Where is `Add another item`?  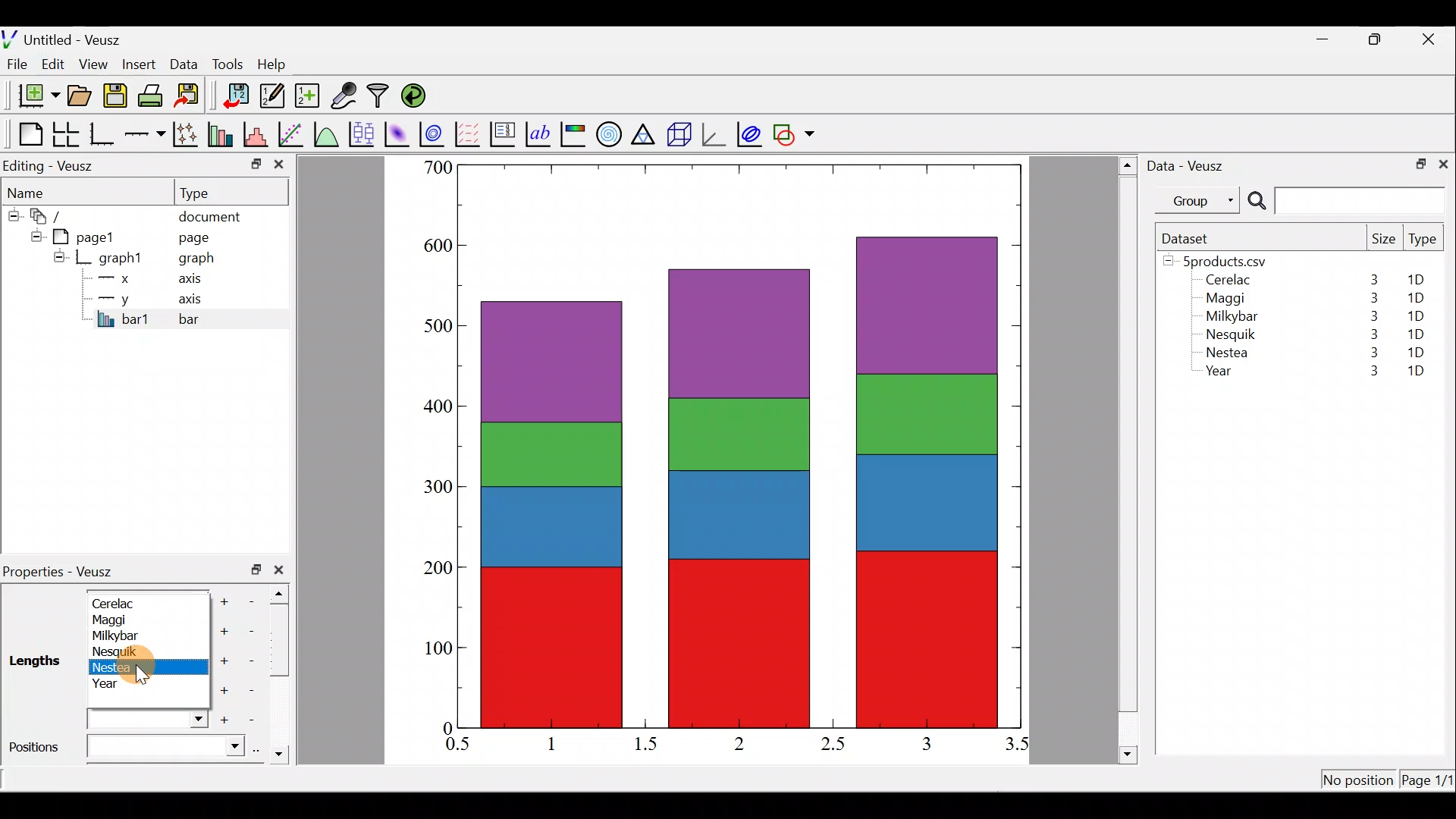
Add another item is located at coordinates (227, 599).